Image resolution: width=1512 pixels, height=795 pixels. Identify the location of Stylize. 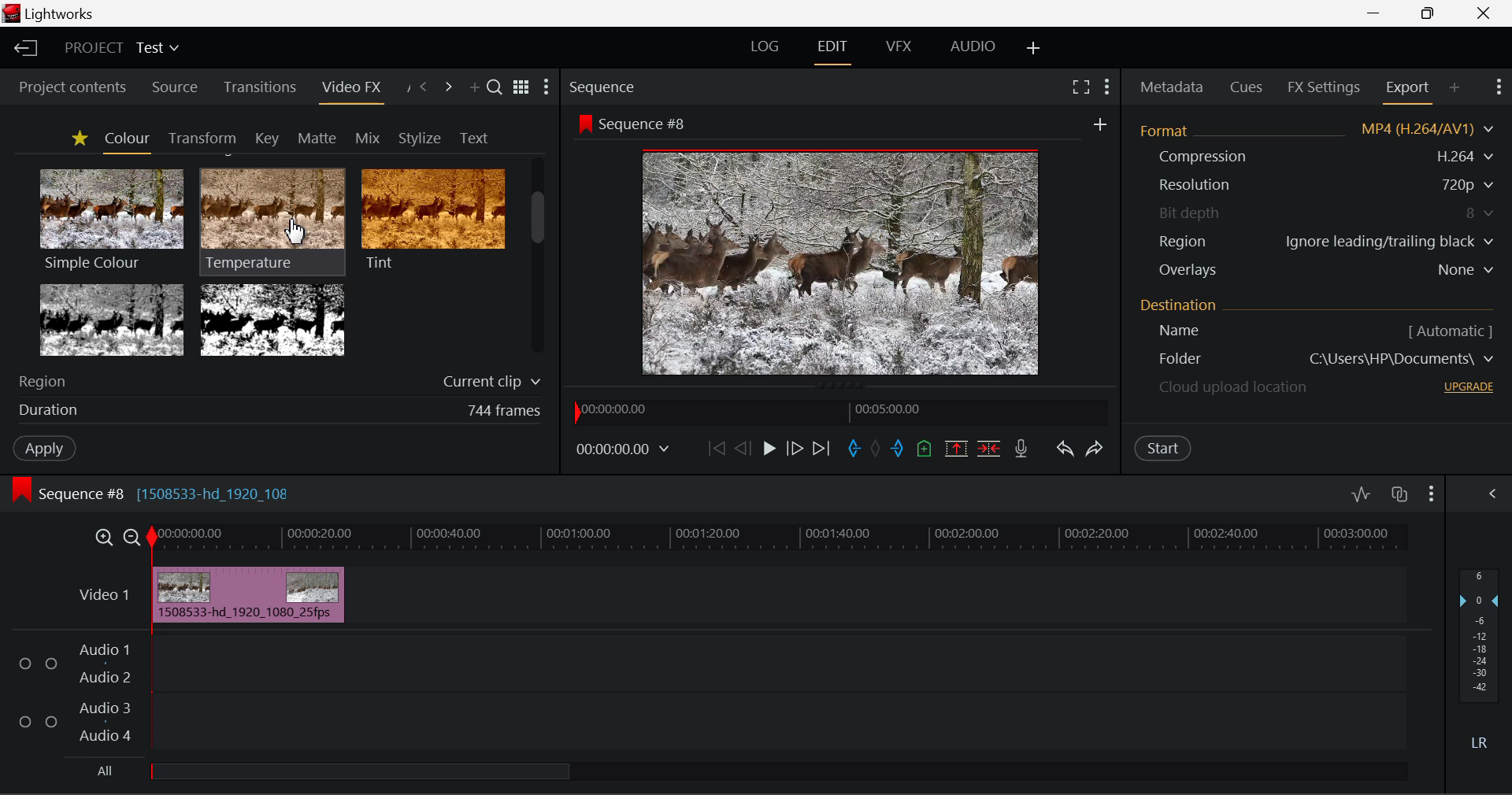
(420, 136).